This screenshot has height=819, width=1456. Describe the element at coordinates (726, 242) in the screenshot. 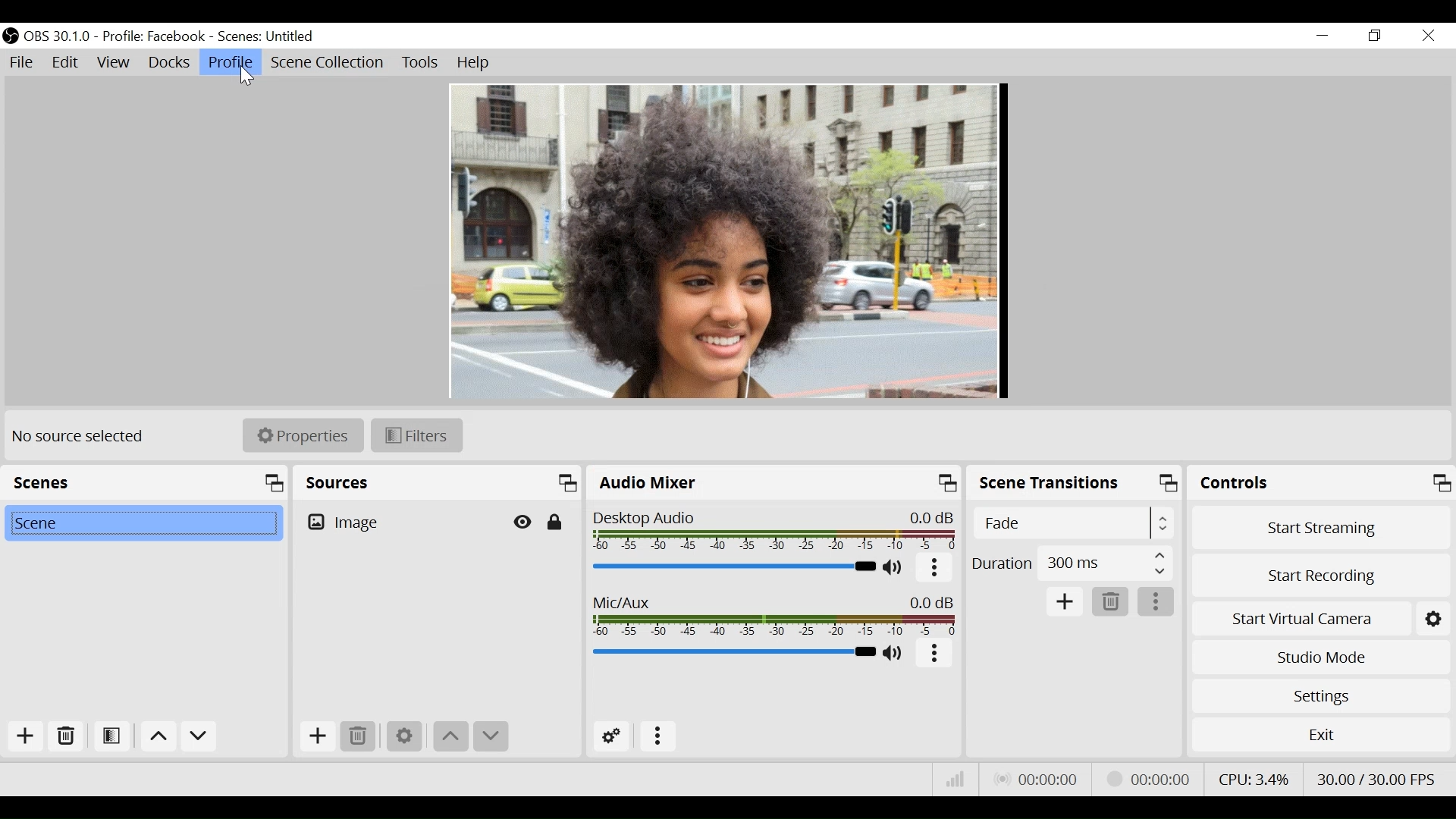

I see `Preview` at that location.